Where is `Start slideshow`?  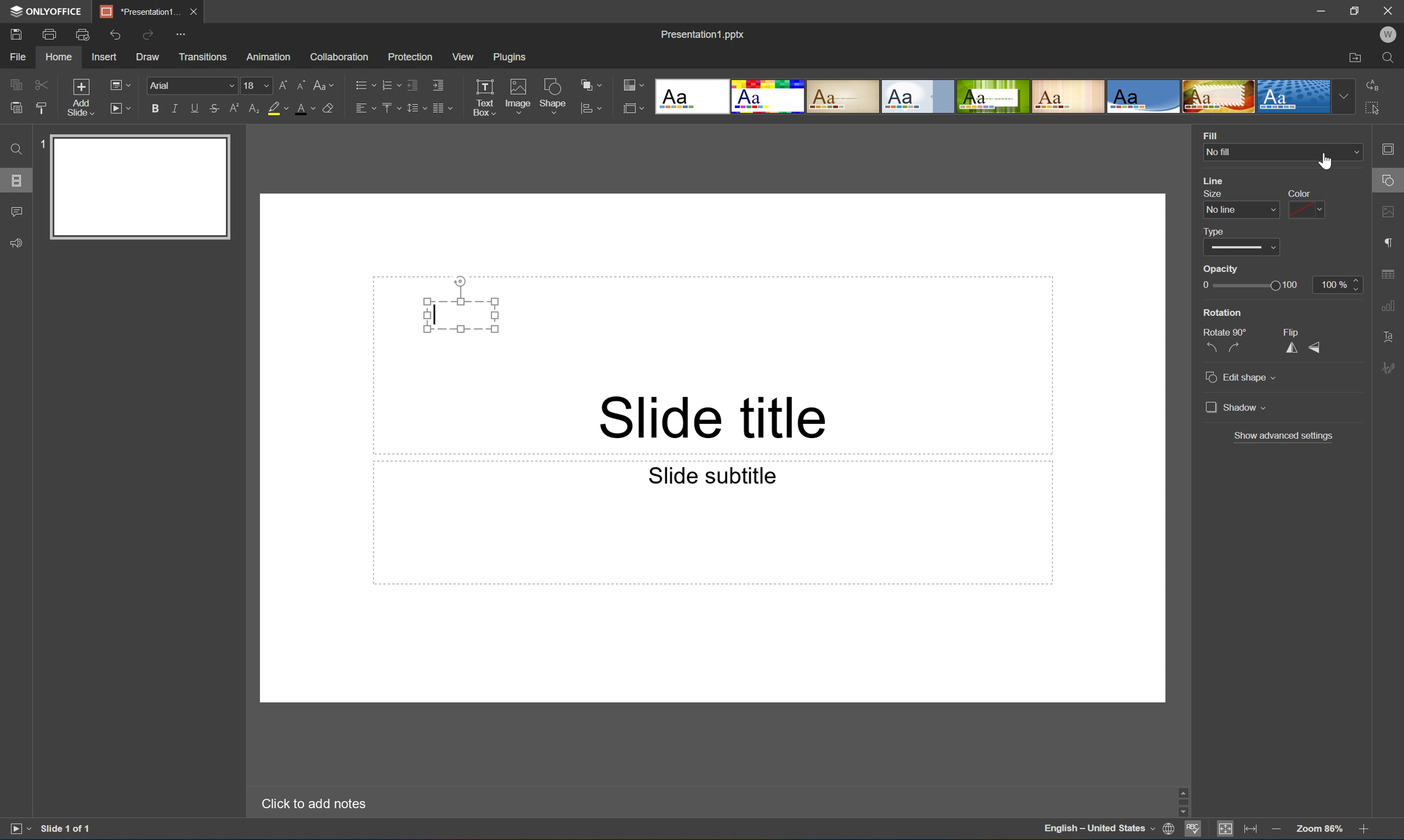 Start slideshow is located at coordinates (119, 107).